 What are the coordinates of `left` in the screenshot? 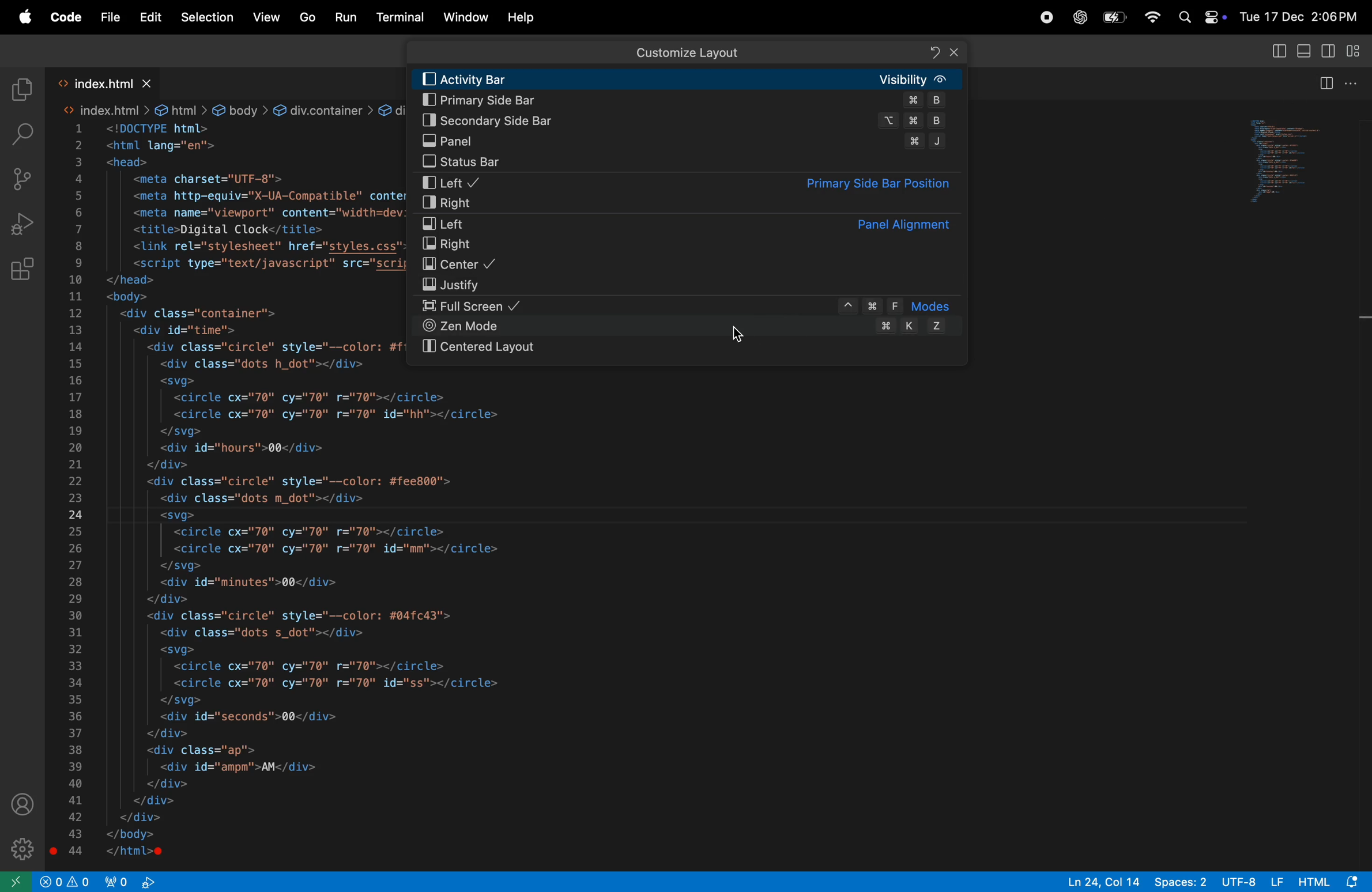 It's located at (681, 224).